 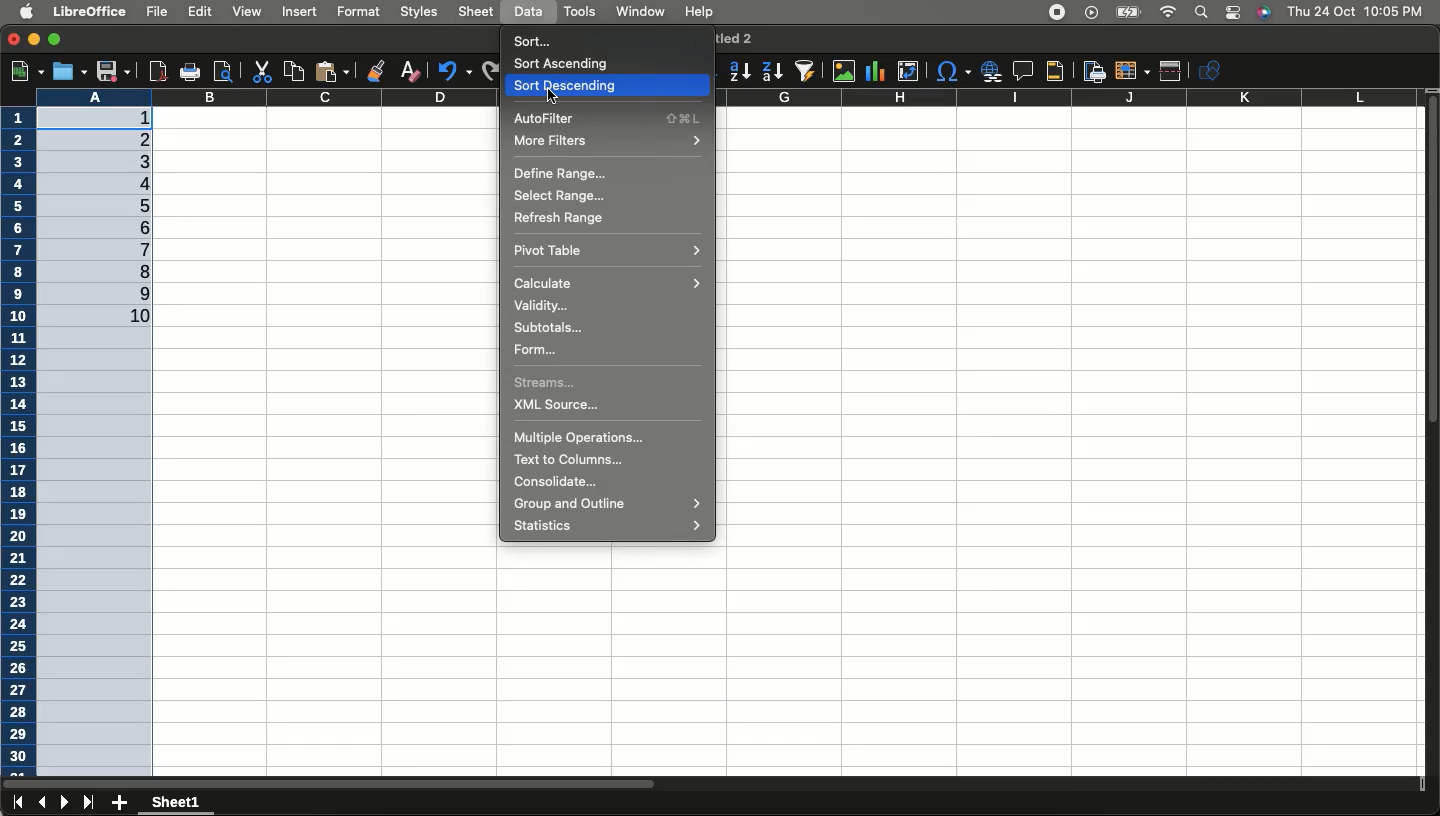 I want to click on Freeze rows and columns, so click(x=1131, y=71).